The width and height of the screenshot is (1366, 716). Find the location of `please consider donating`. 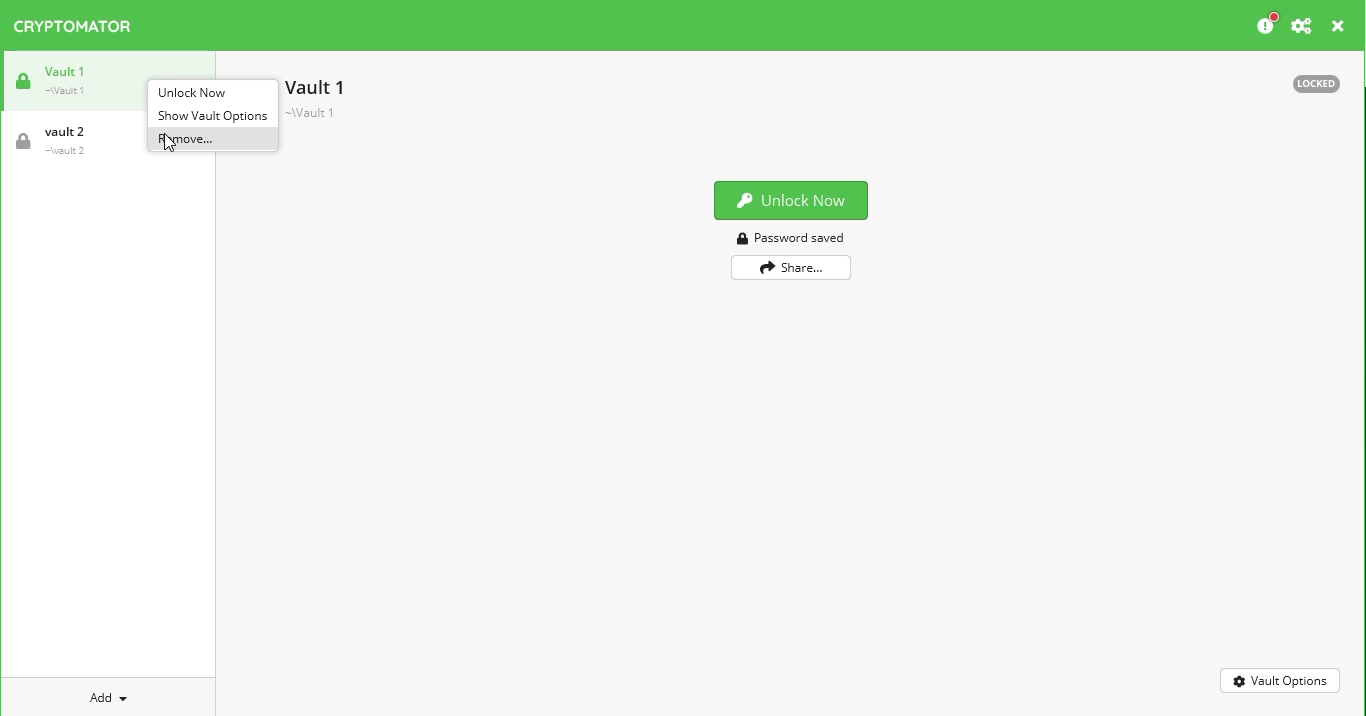

please consider donating is located at coordinates (1266, 24).